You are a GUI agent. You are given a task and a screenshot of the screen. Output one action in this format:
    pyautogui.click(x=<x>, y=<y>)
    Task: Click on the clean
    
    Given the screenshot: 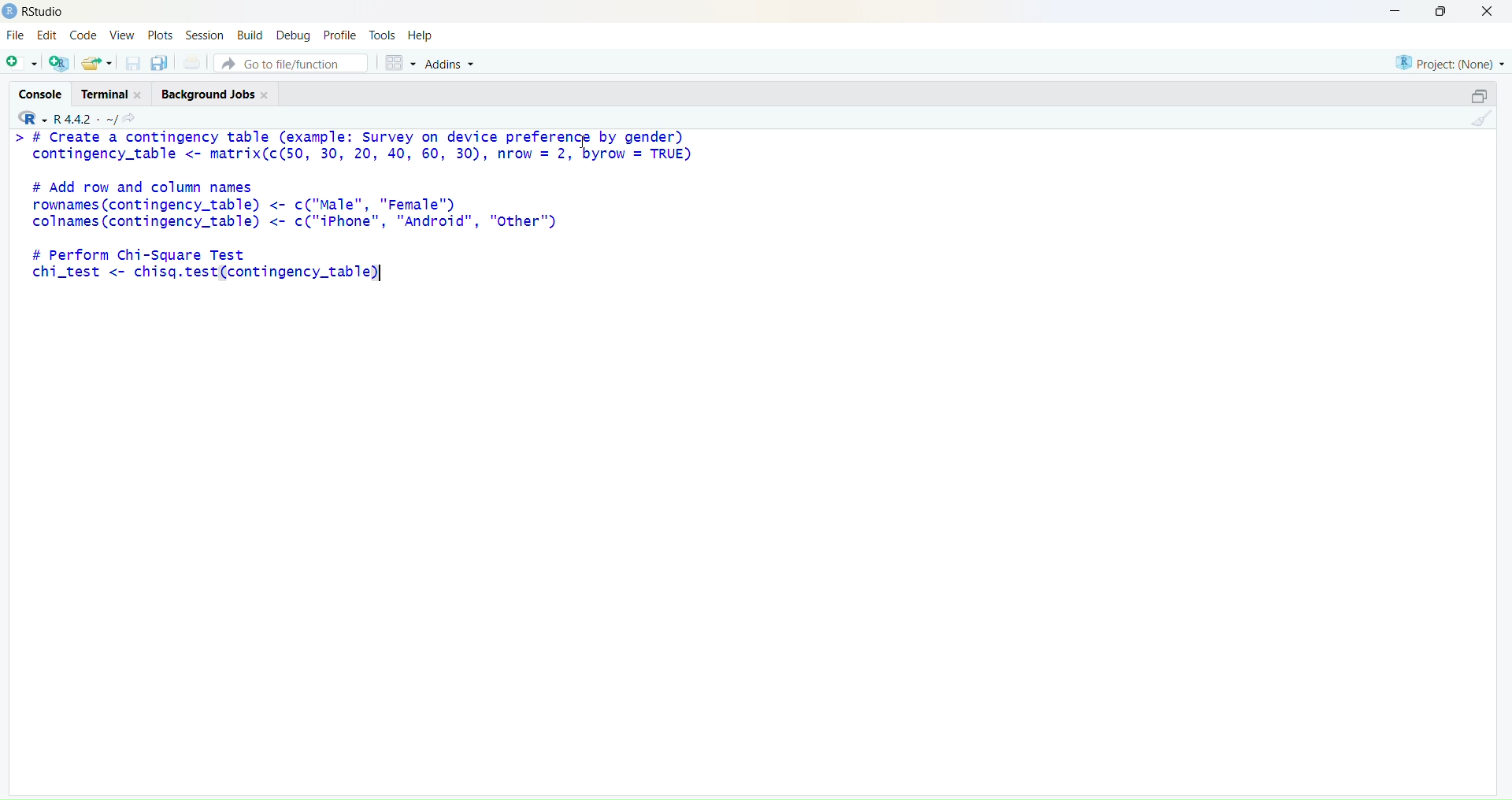 What is the action you would take?
    pyautogui.click(x=1484, y=118)
    